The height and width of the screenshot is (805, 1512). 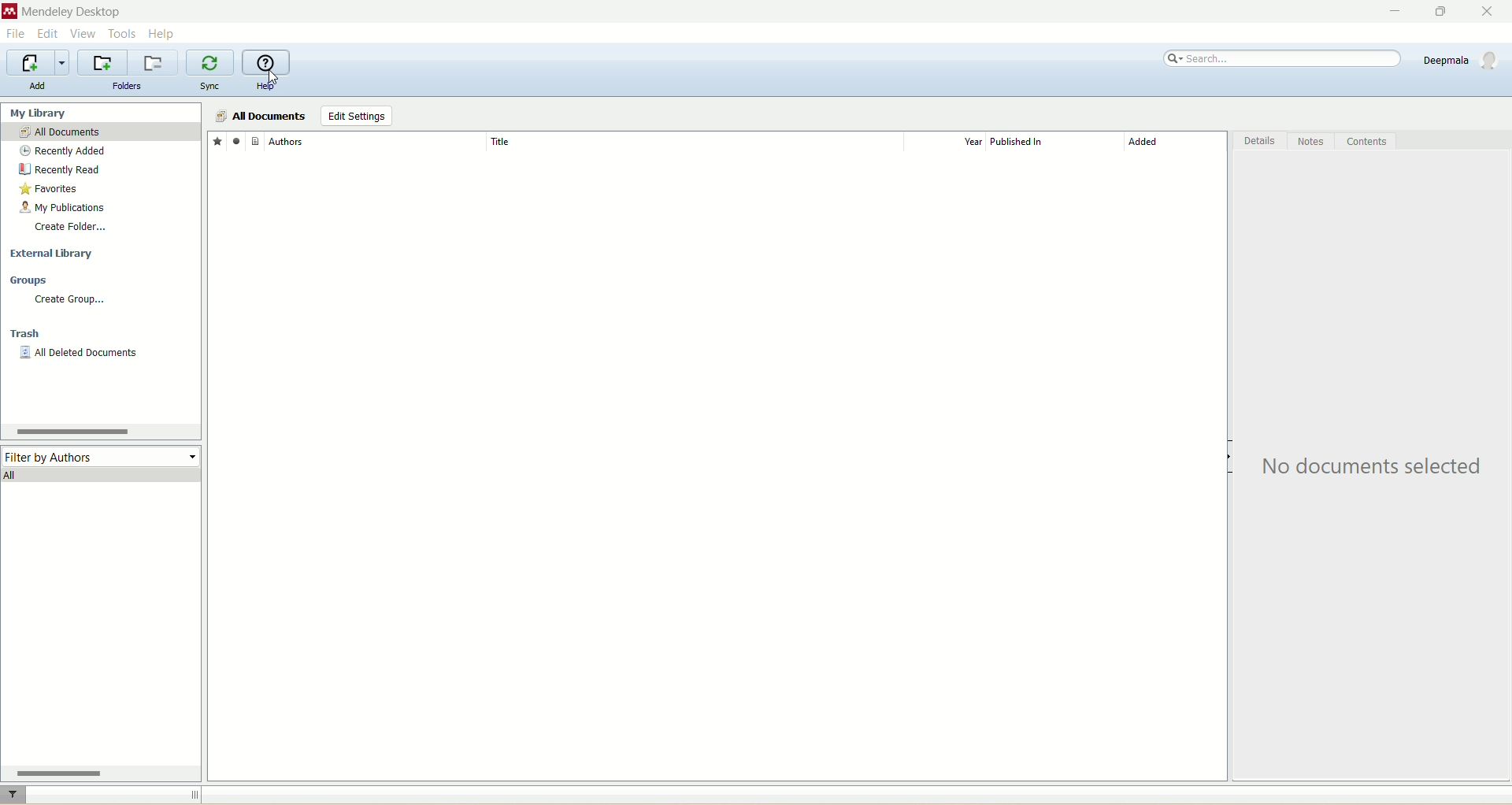 I want to click on all documents, so click(x=93, y=131).